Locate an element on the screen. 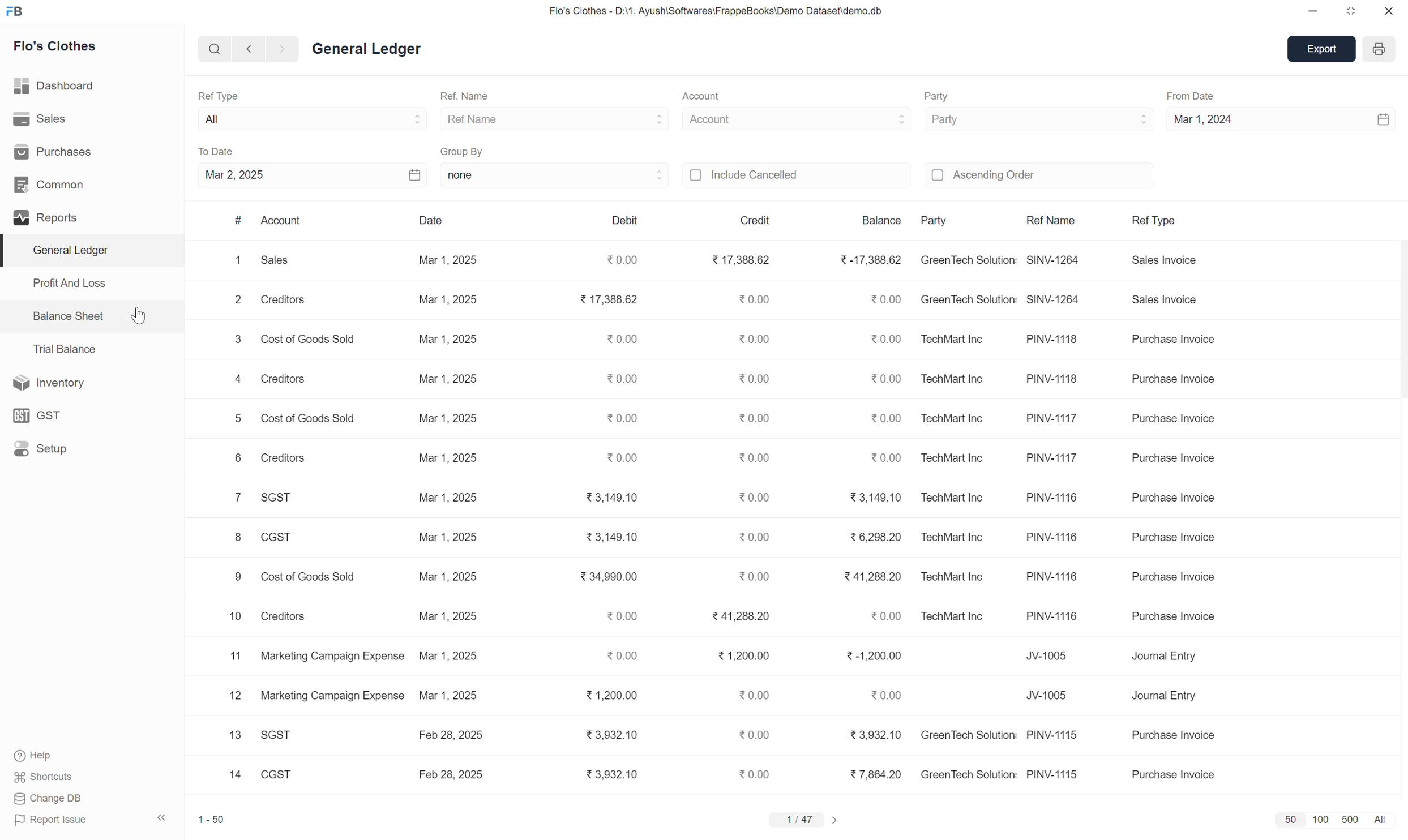  0.00 is located at coordinates (748, 299).